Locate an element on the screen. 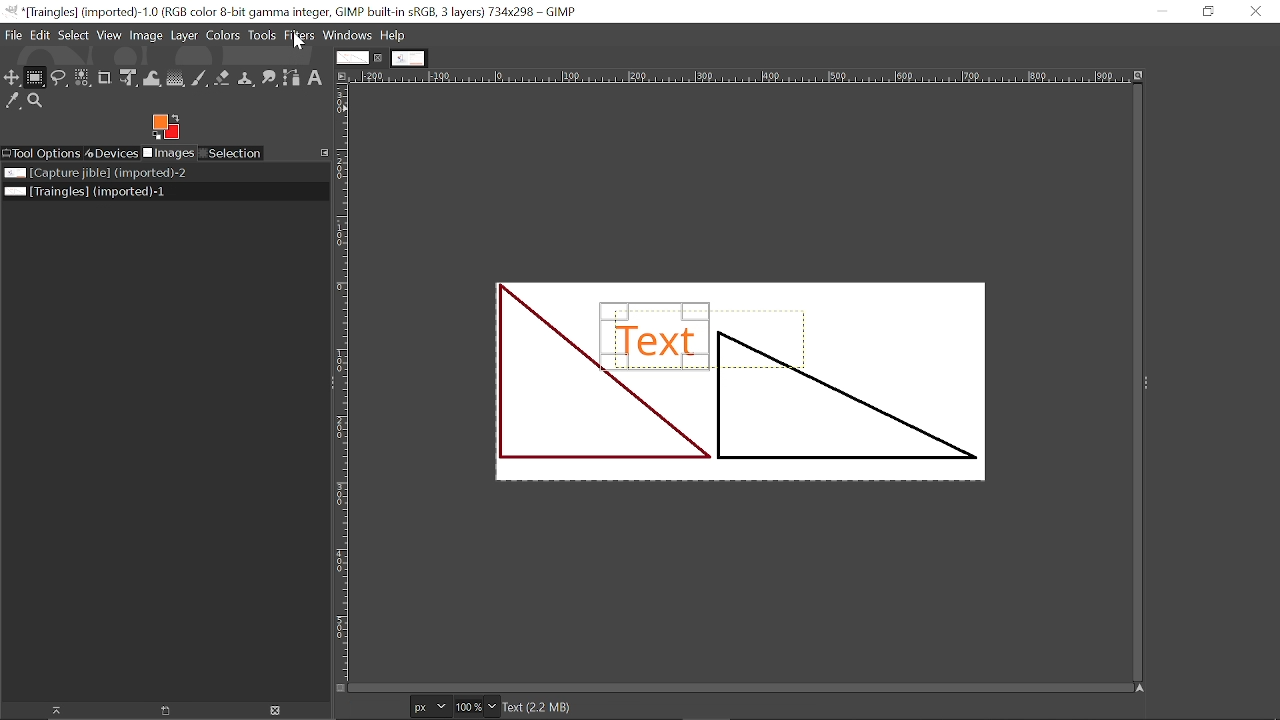 The height and width of the screenshot is (720, 1280). Tools is located at coordinates (262, 37).